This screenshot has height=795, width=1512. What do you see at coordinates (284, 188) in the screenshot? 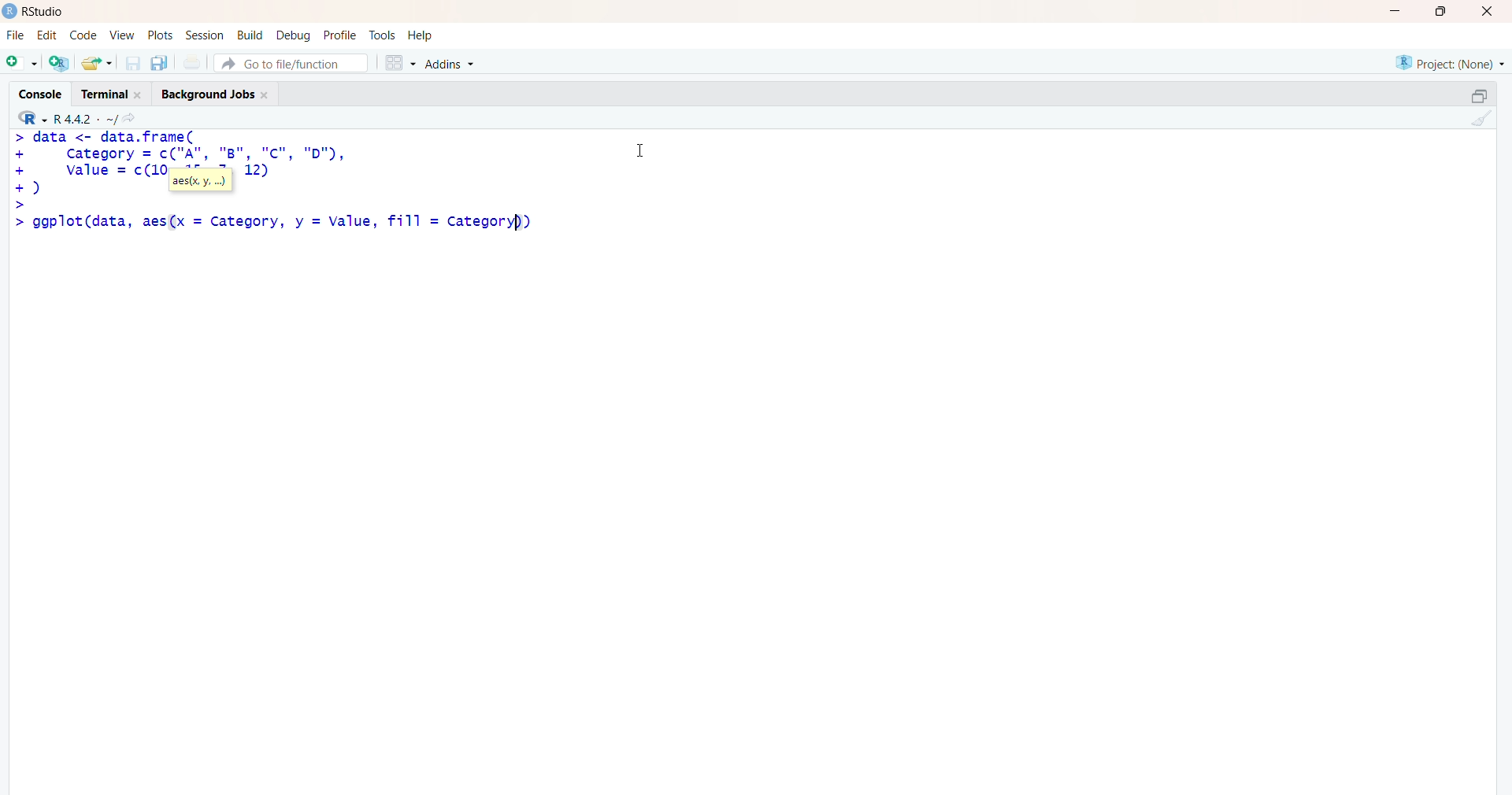
I see `code - > data <- data.frame(+ category = c("A", "B", "Cc", "D"),+ value = c(10 12)© asic>> ggplot(data, aes(x = Category, y = Value, fill = category))` at bounding box center [284, 188].